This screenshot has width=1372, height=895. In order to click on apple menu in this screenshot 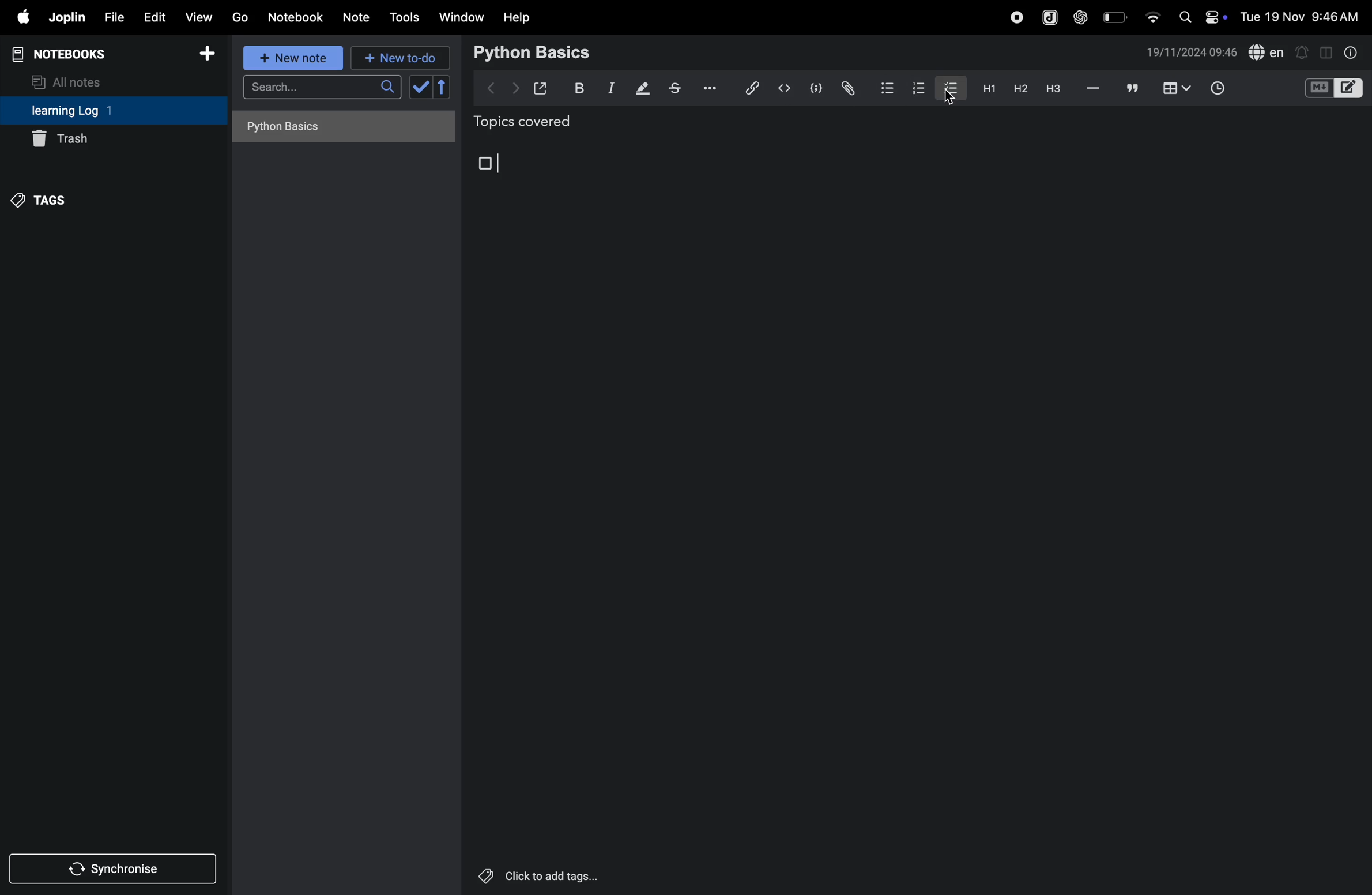, I will do `click(18, 18)`.